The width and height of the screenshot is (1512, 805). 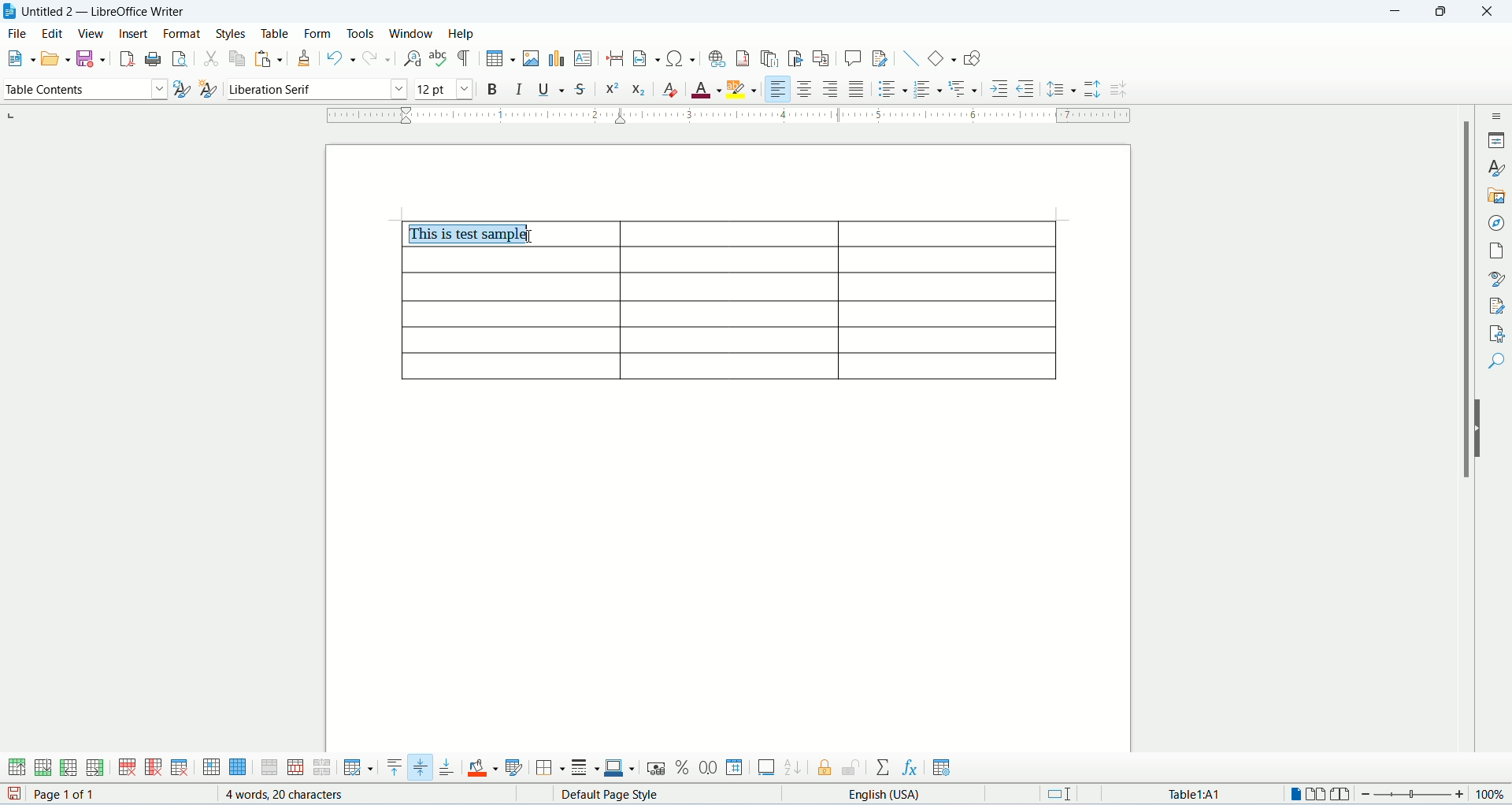 I want to click on insert table, so click(x=499, y=57).